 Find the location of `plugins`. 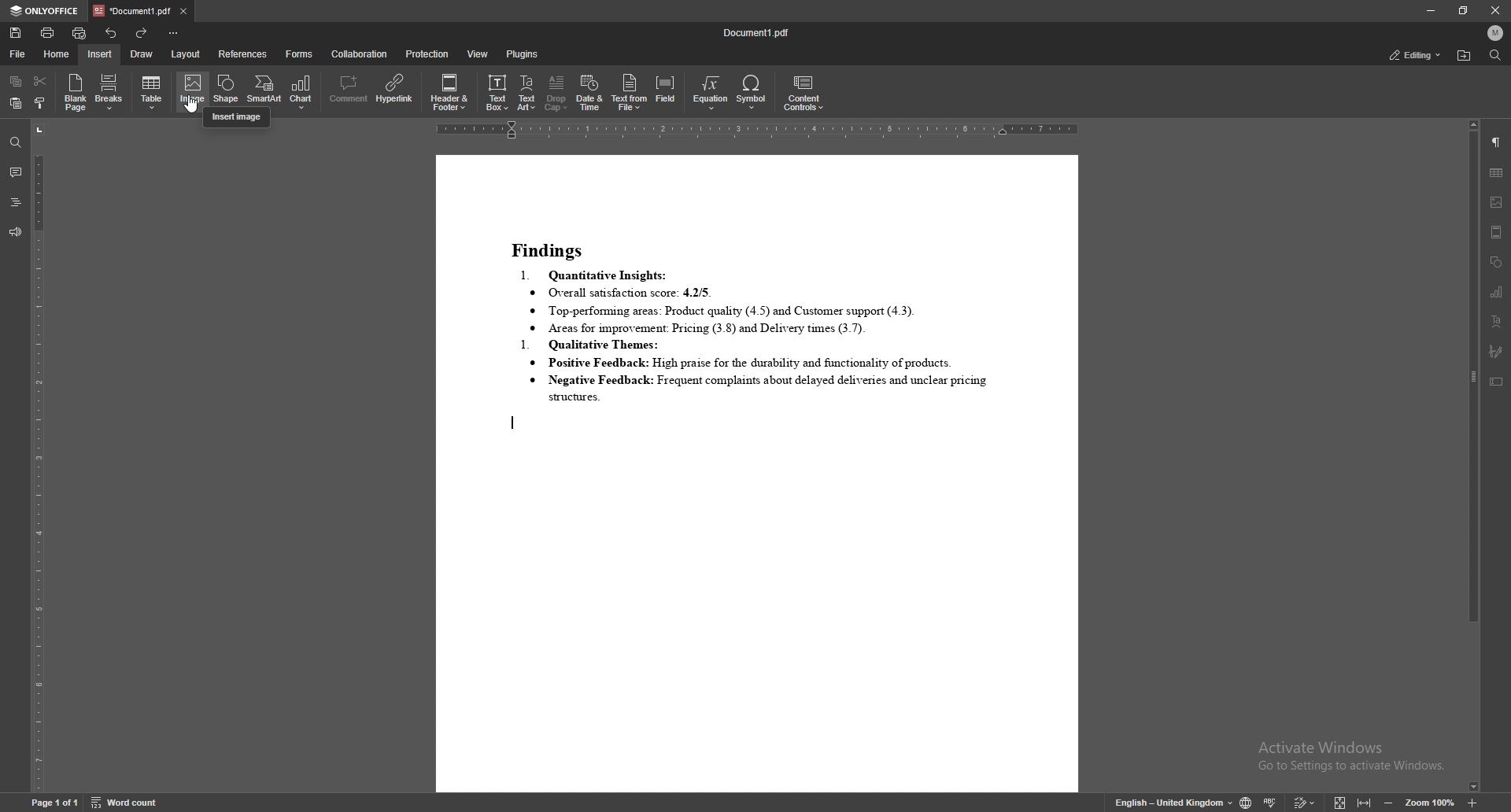

plugins is located at coordinates (524, 54).